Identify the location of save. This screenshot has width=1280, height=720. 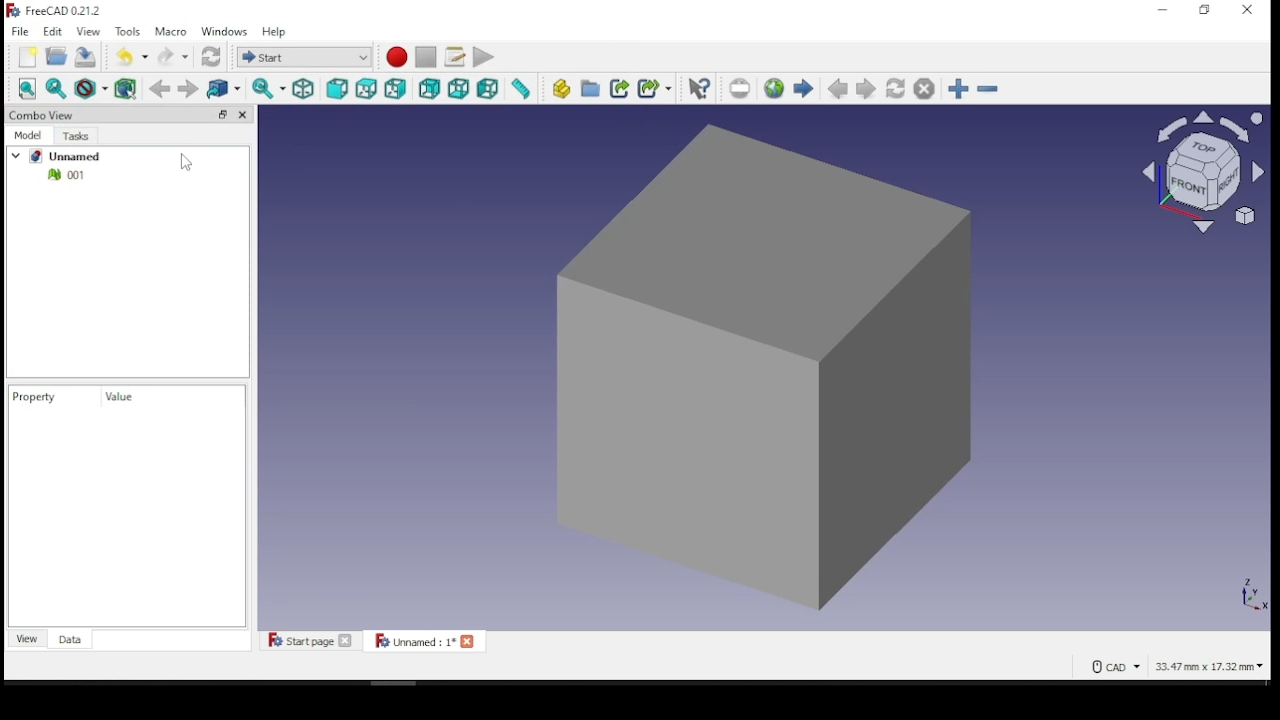
(85, 56).